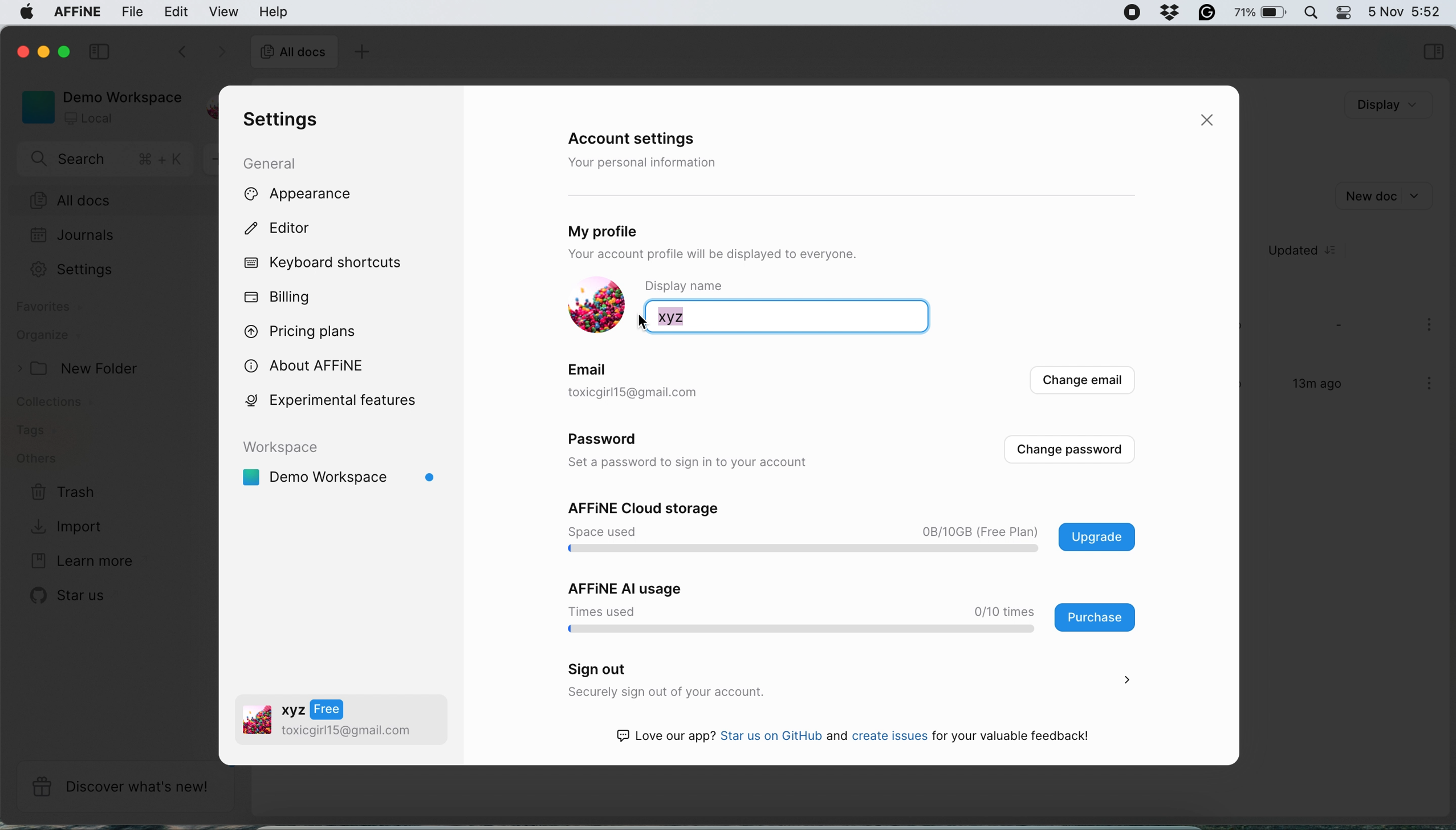 This screenshot has width=1456, height=830. Describe the element at coordinates (864, 738) in the screenshot. I see `Love our app? Star us on GitHub and create issues for your valuable feedback!` at that location.